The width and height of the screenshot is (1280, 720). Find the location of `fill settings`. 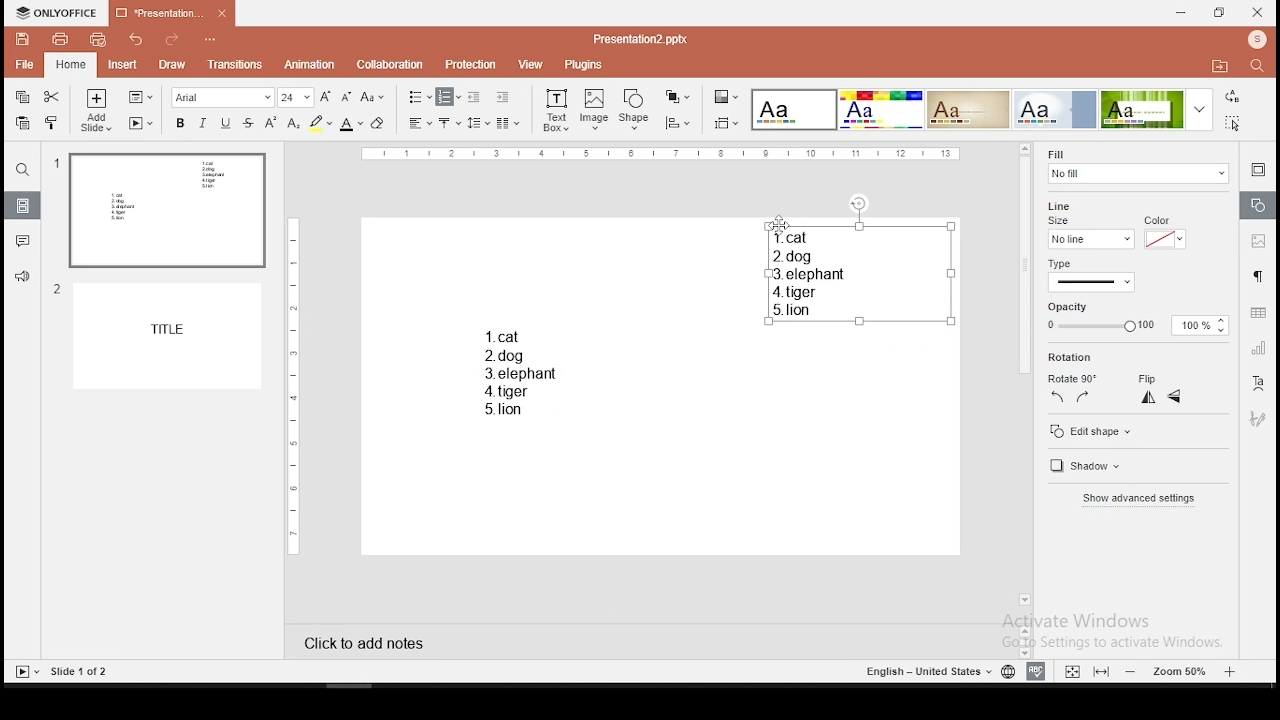

fill settings is located at coordinates (1135, 164).